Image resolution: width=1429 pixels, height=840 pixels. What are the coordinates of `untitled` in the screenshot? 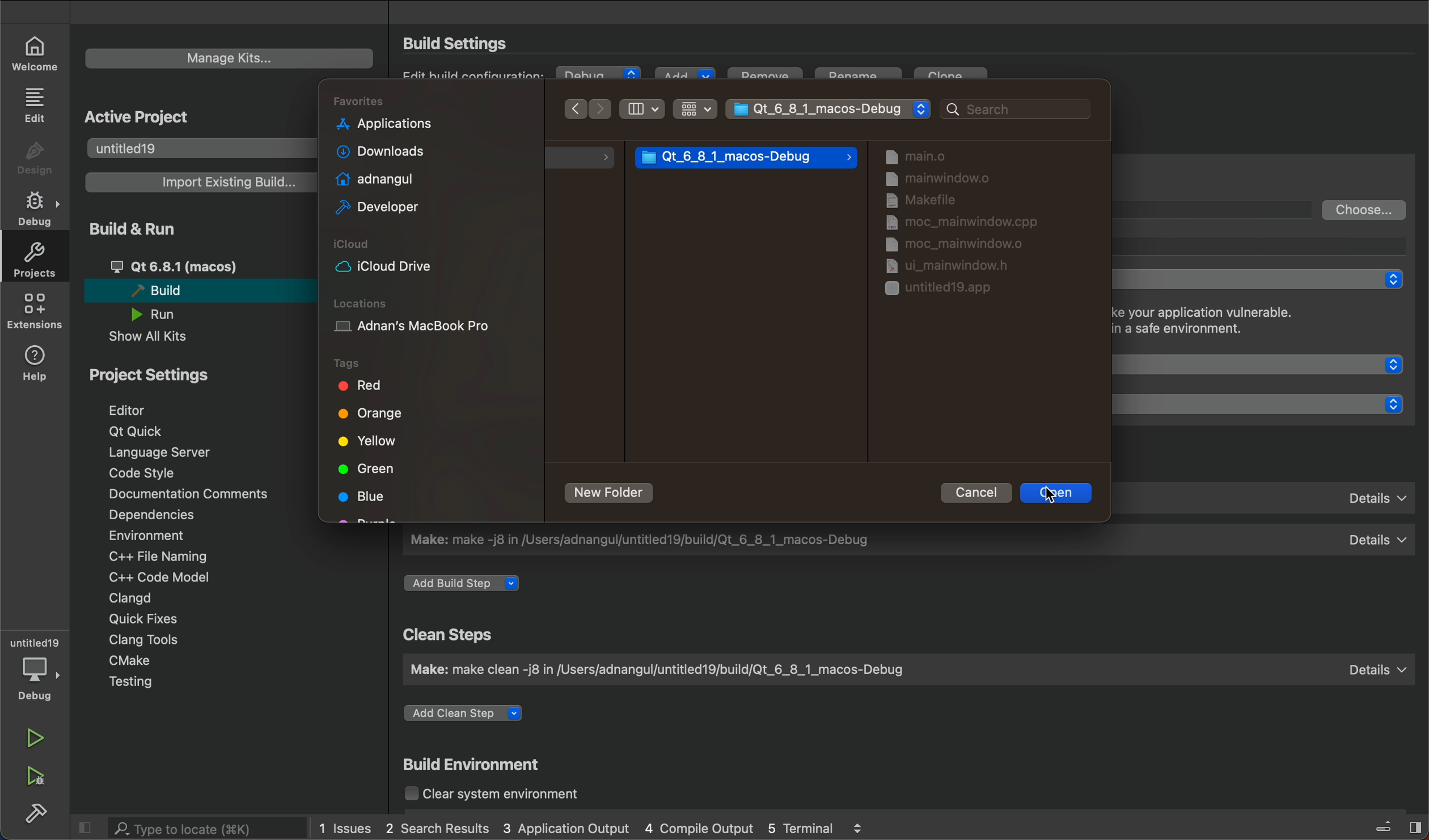 It's located at (946, 290).